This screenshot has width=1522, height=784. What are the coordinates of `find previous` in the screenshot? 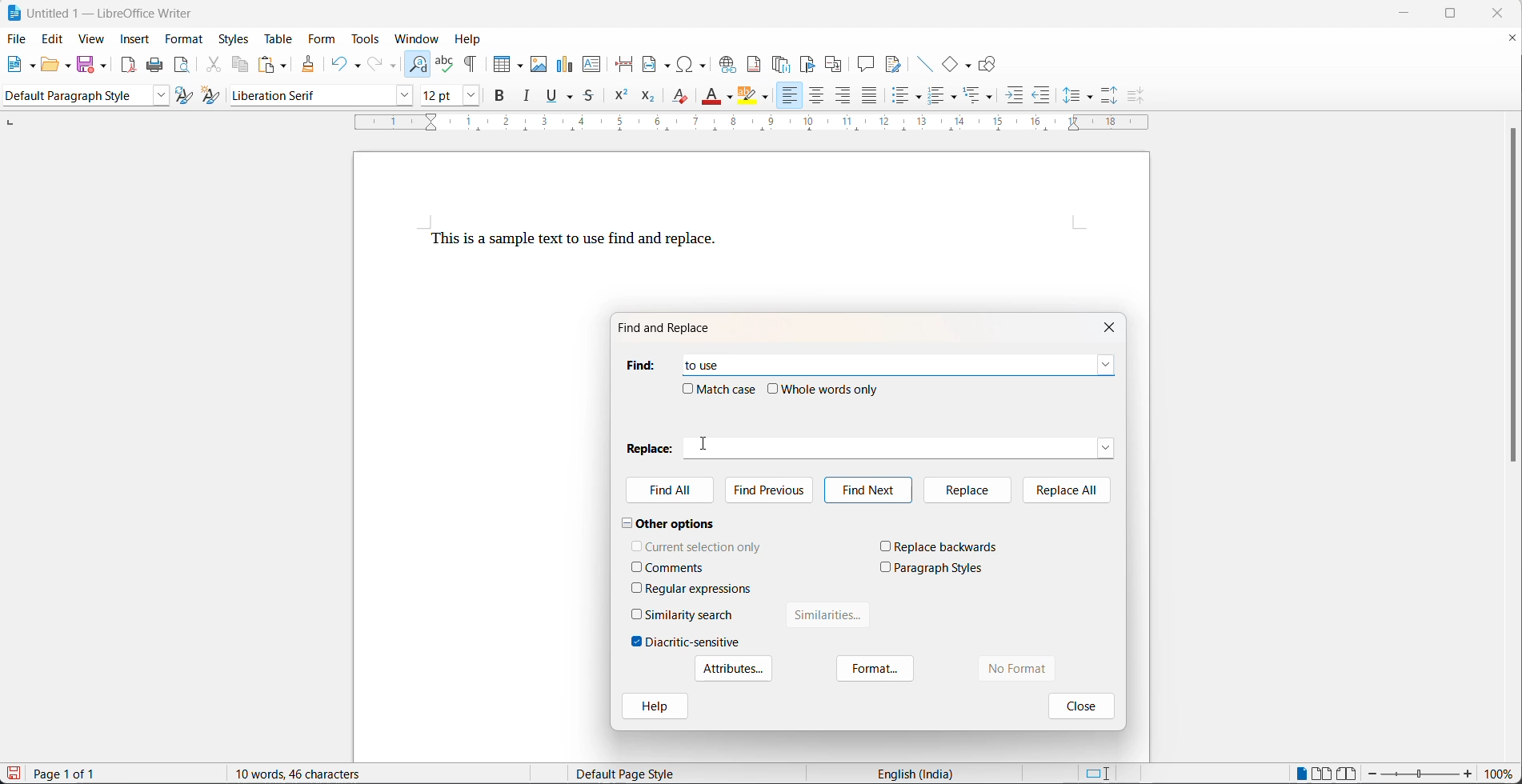 It's located at (773, 488).